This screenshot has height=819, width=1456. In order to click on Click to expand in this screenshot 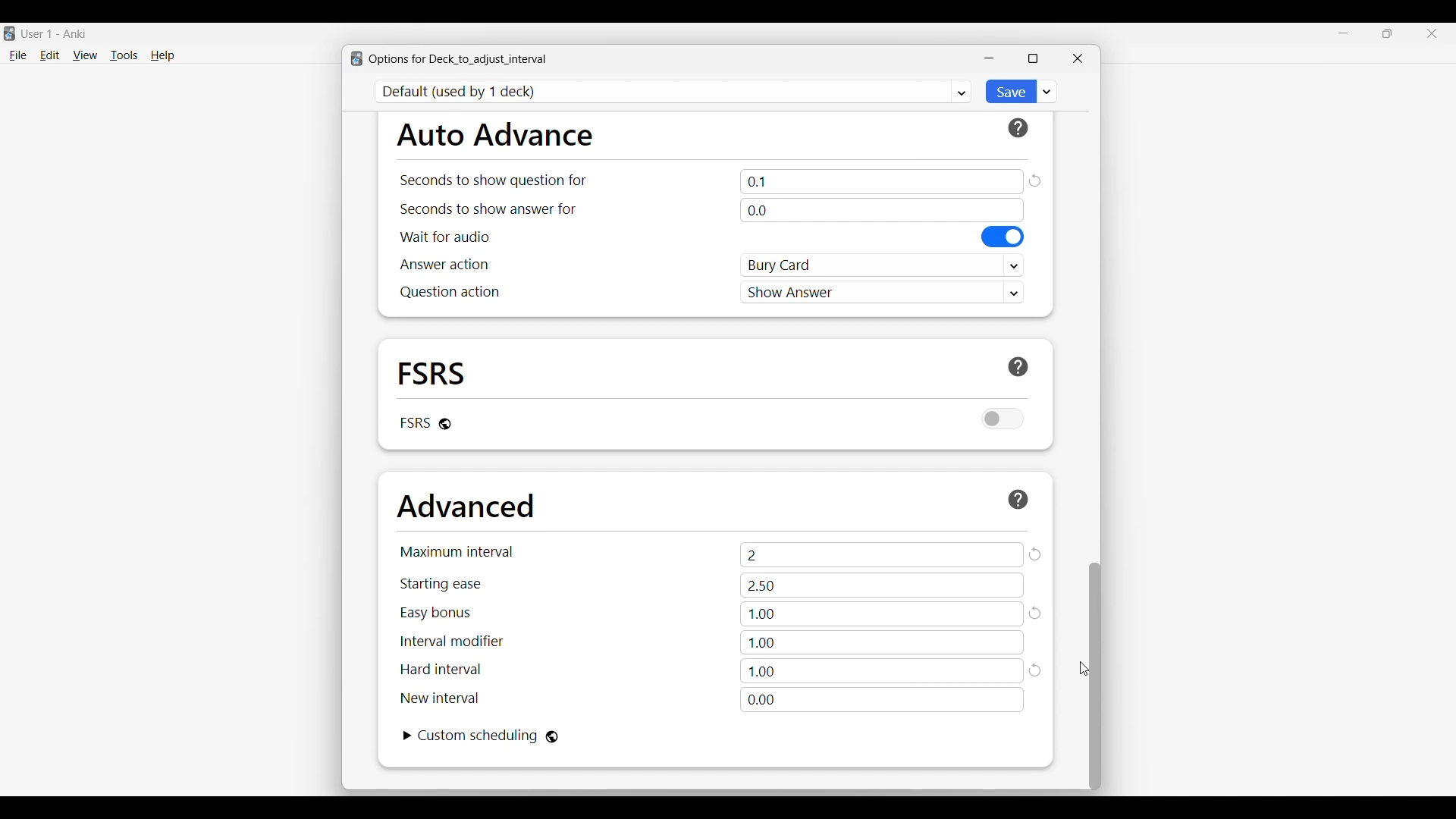, I will do `click(408, 736)`.